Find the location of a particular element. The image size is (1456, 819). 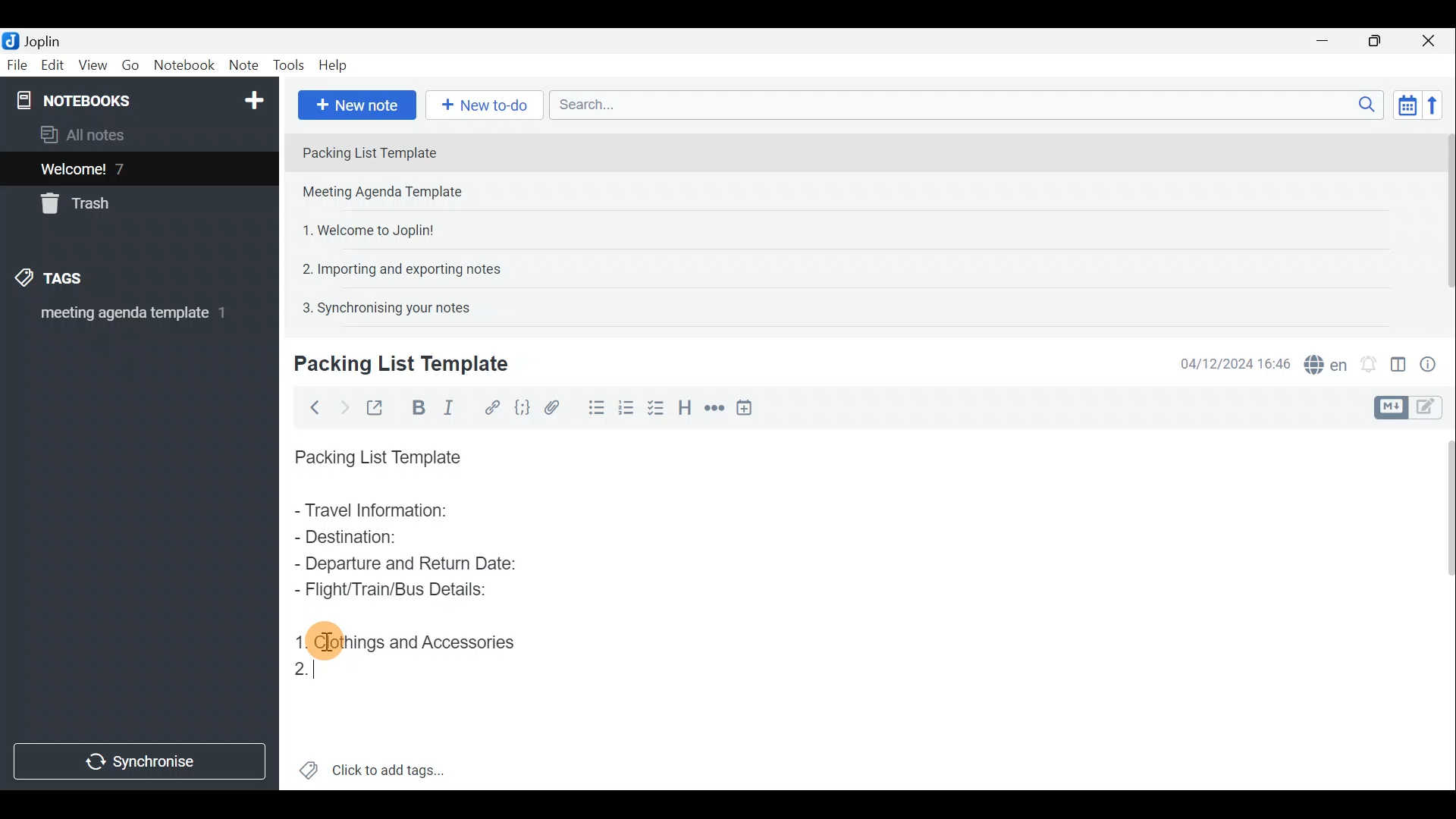

Travel Information: is located at coordinates (384, 512).